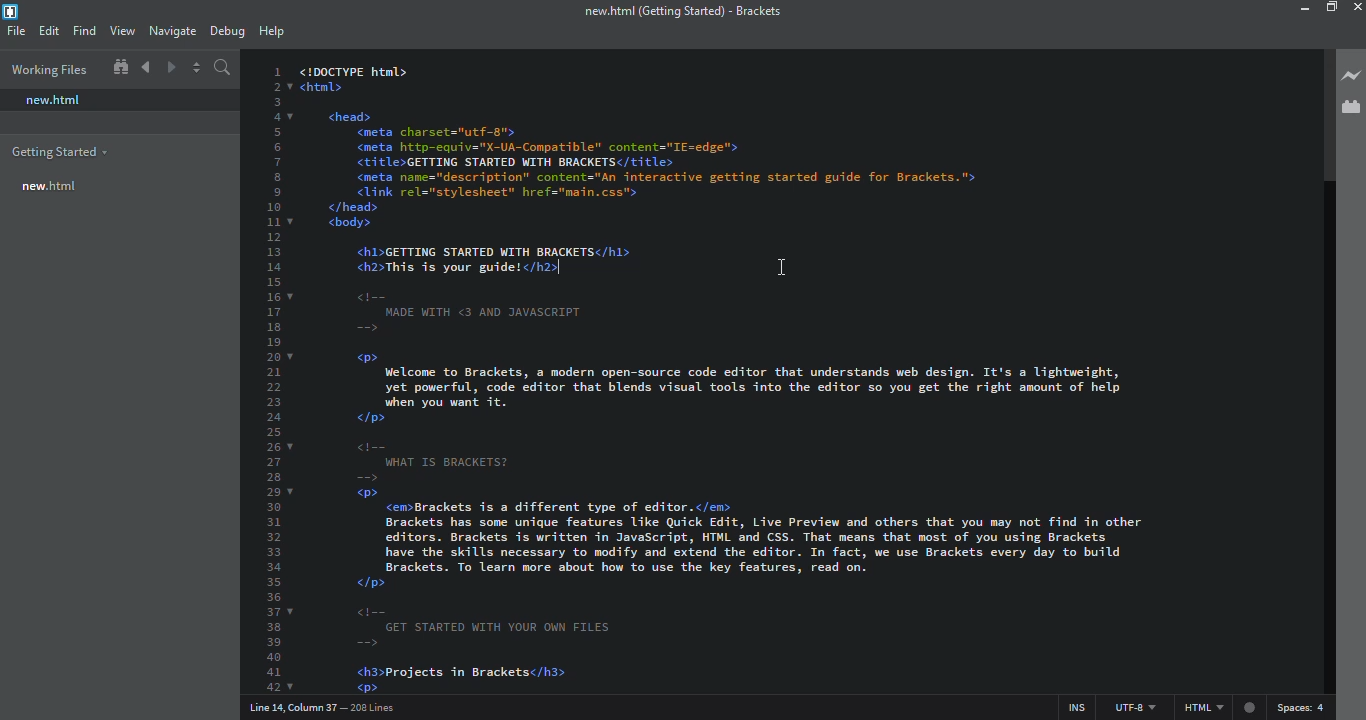 Image resolution: width=1366 pixels, height=720 pixels. I want to click on split editor, so click(195, 67).